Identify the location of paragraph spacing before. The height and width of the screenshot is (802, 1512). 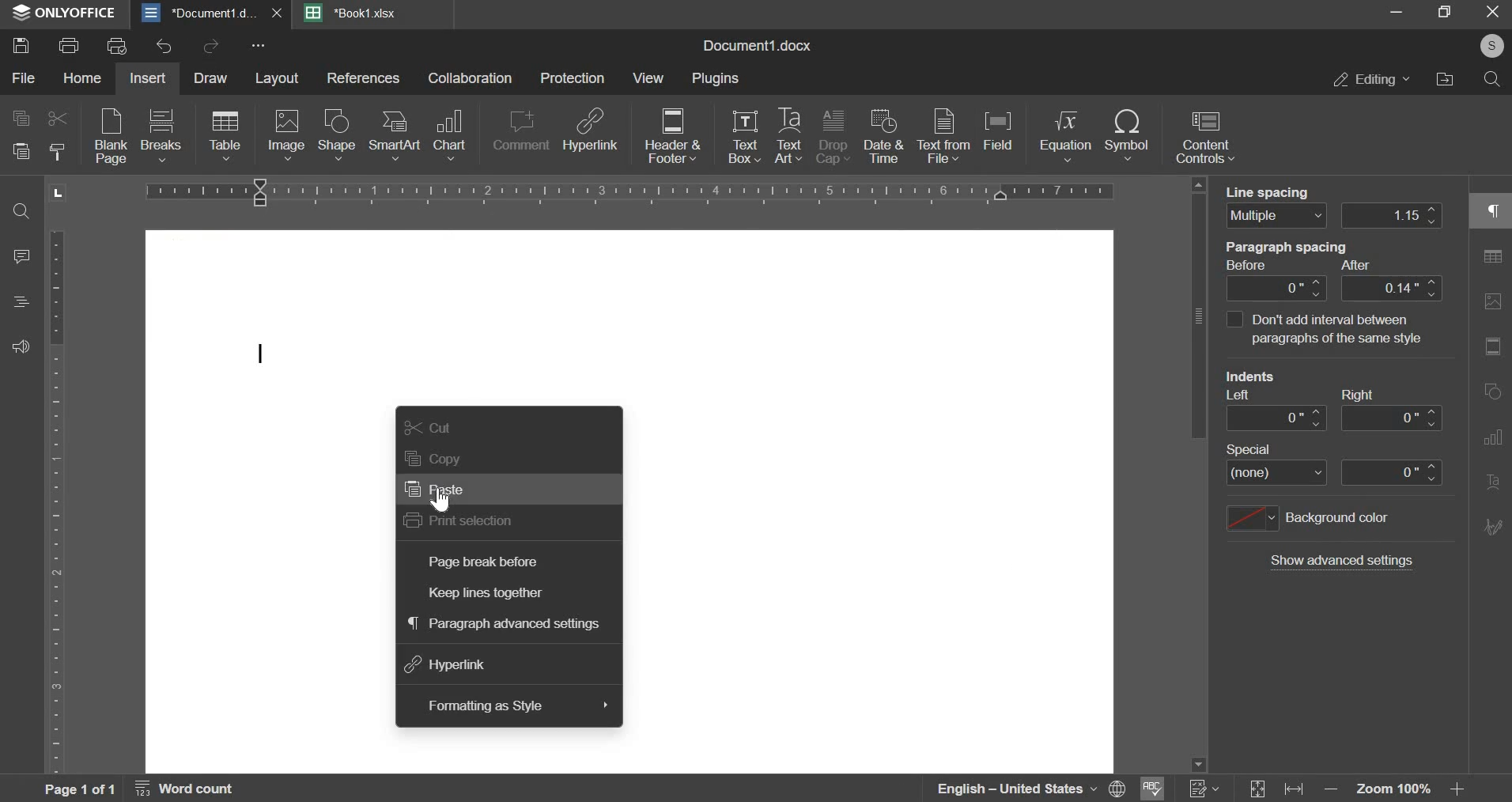
(1276, 288).